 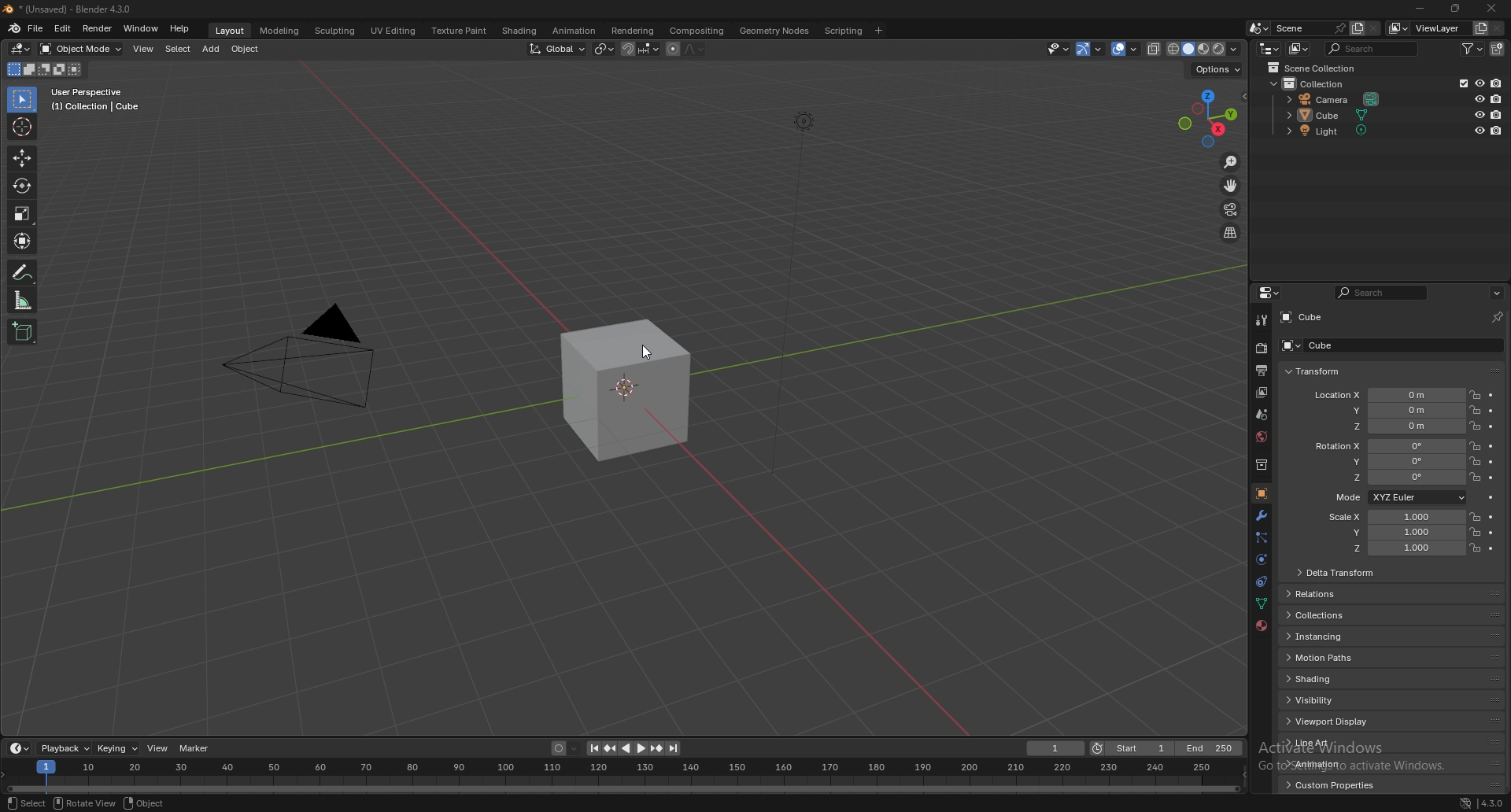 I want to click on rotation y, so click(x=1392, y=460).